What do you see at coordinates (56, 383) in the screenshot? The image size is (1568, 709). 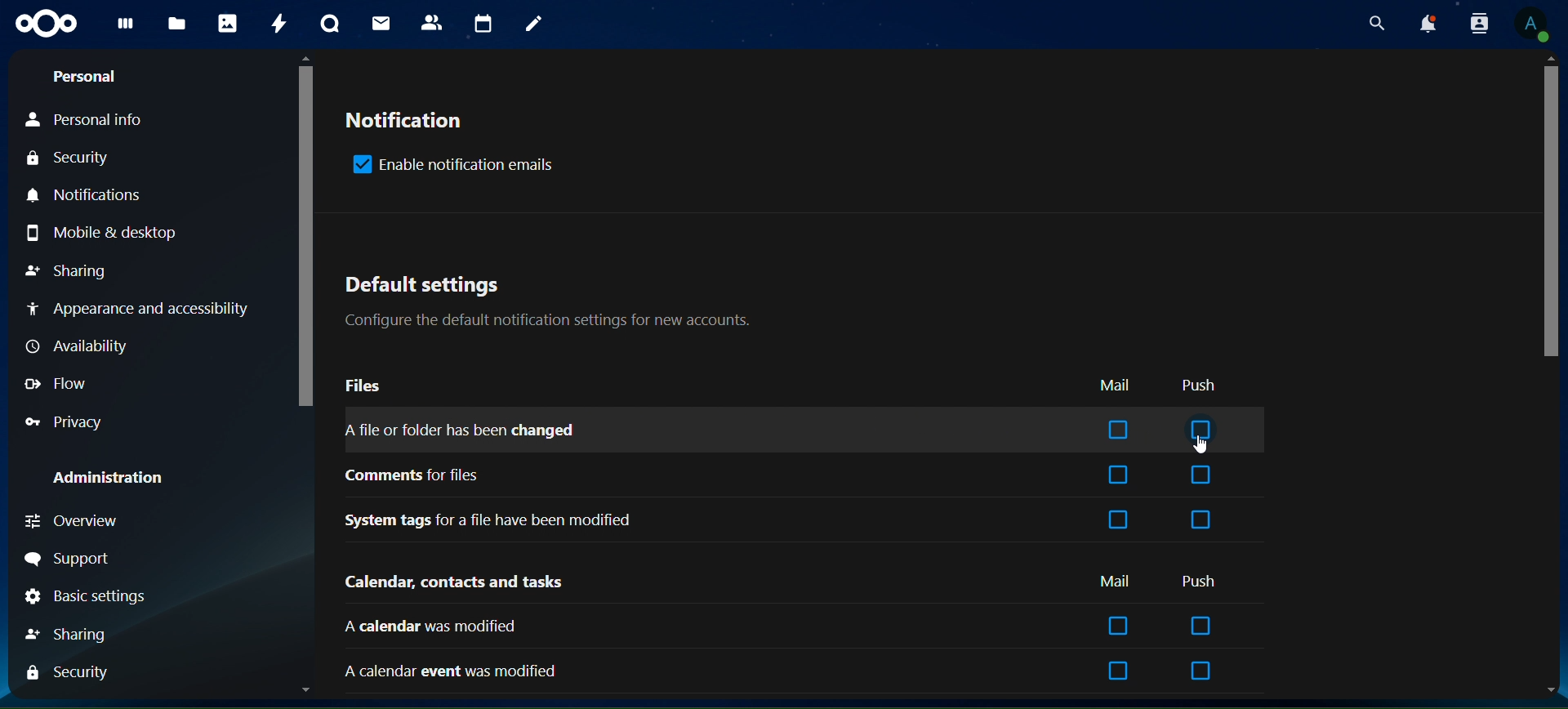 I see `flow` at bounding box center [56, 383].